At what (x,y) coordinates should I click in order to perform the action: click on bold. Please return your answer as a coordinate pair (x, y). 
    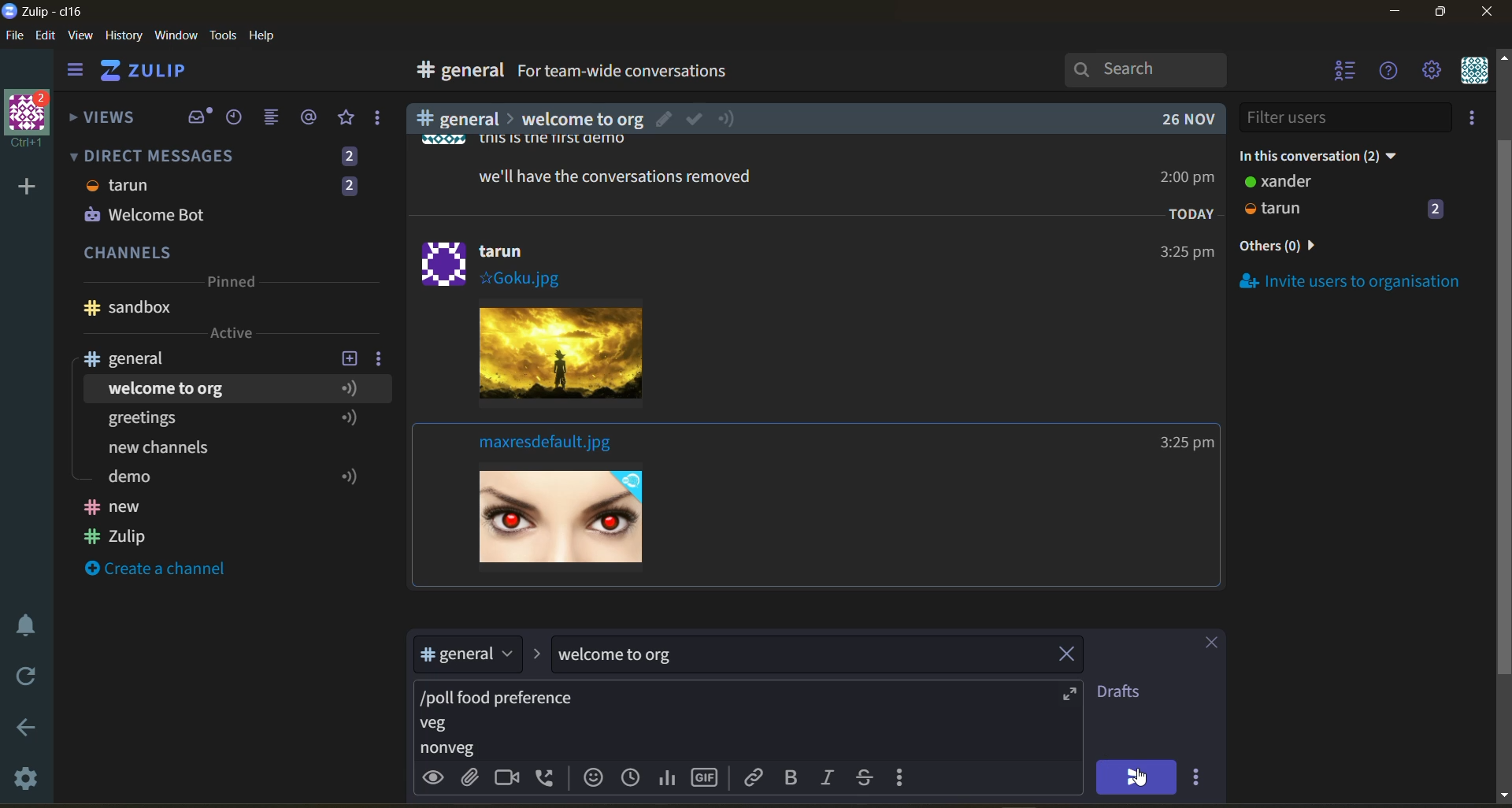
    Looking at the image, I should click on (790, 778).